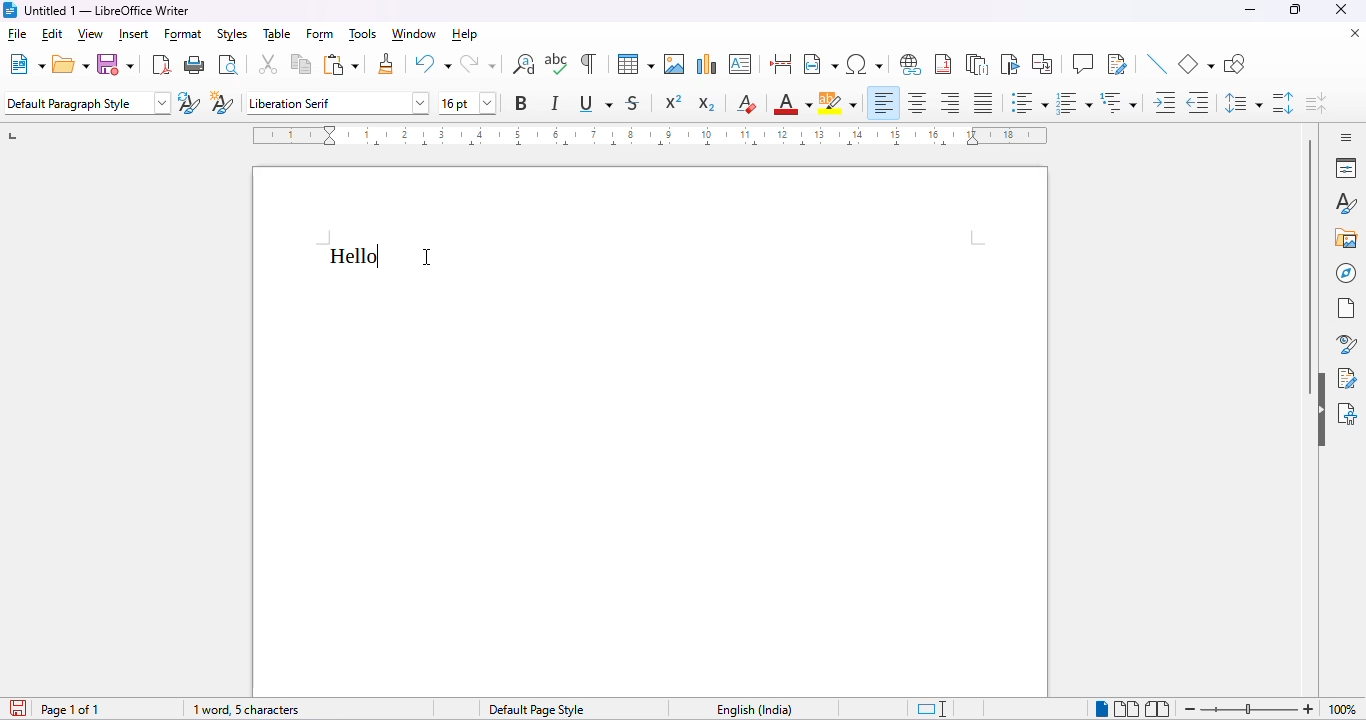 This screenshot has height=720, width=1366. Describe the element at coordinates (1345, 238) in the screenshot. I see `gallery` at that location.